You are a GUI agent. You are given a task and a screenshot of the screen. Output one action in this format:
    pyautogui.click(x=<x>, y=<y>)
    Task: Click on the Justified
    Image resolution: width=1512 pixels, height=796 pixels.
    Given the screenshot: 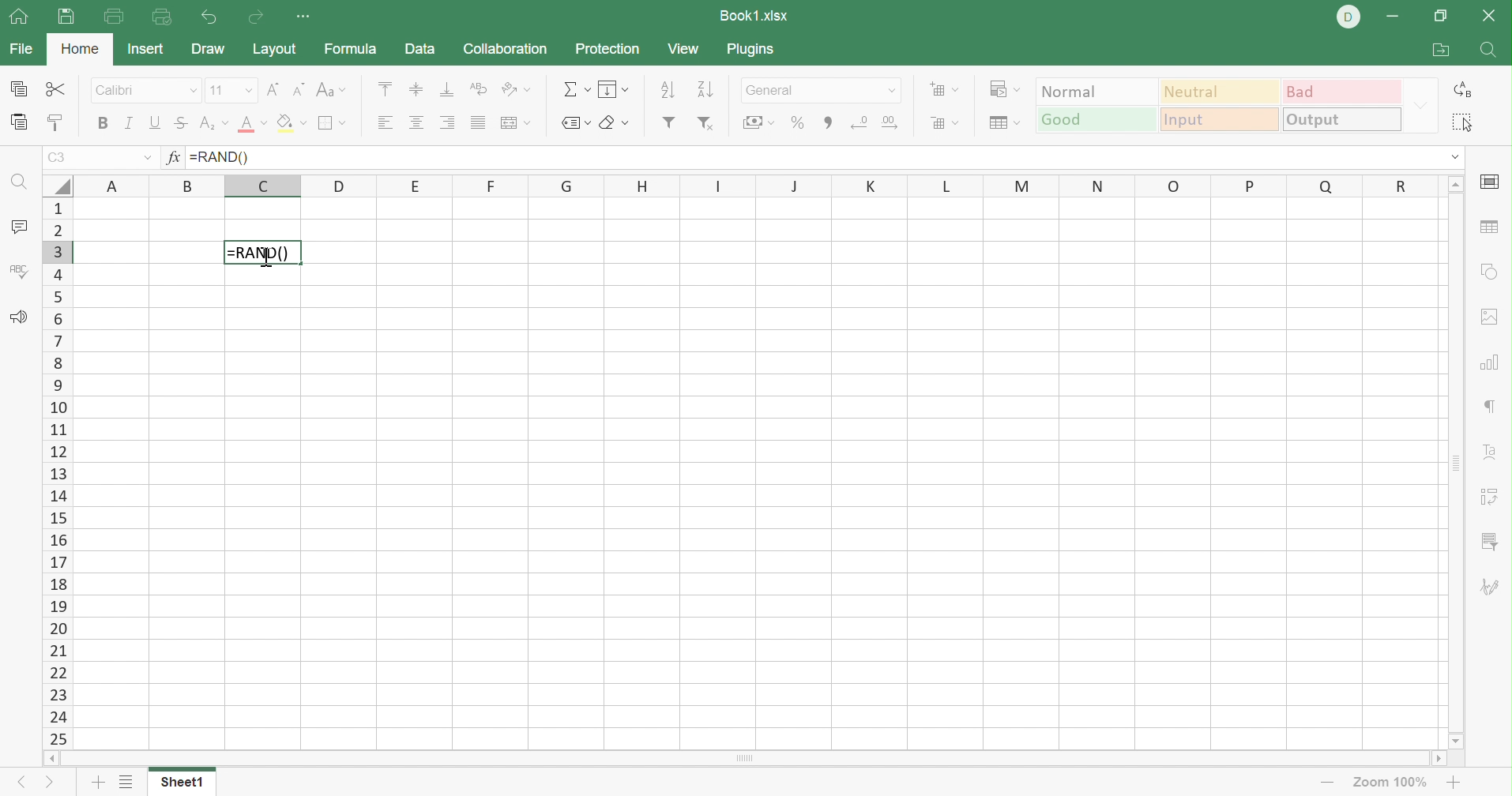 What is the action you would take?
    pyautogui.click(x=481, y=122)
    